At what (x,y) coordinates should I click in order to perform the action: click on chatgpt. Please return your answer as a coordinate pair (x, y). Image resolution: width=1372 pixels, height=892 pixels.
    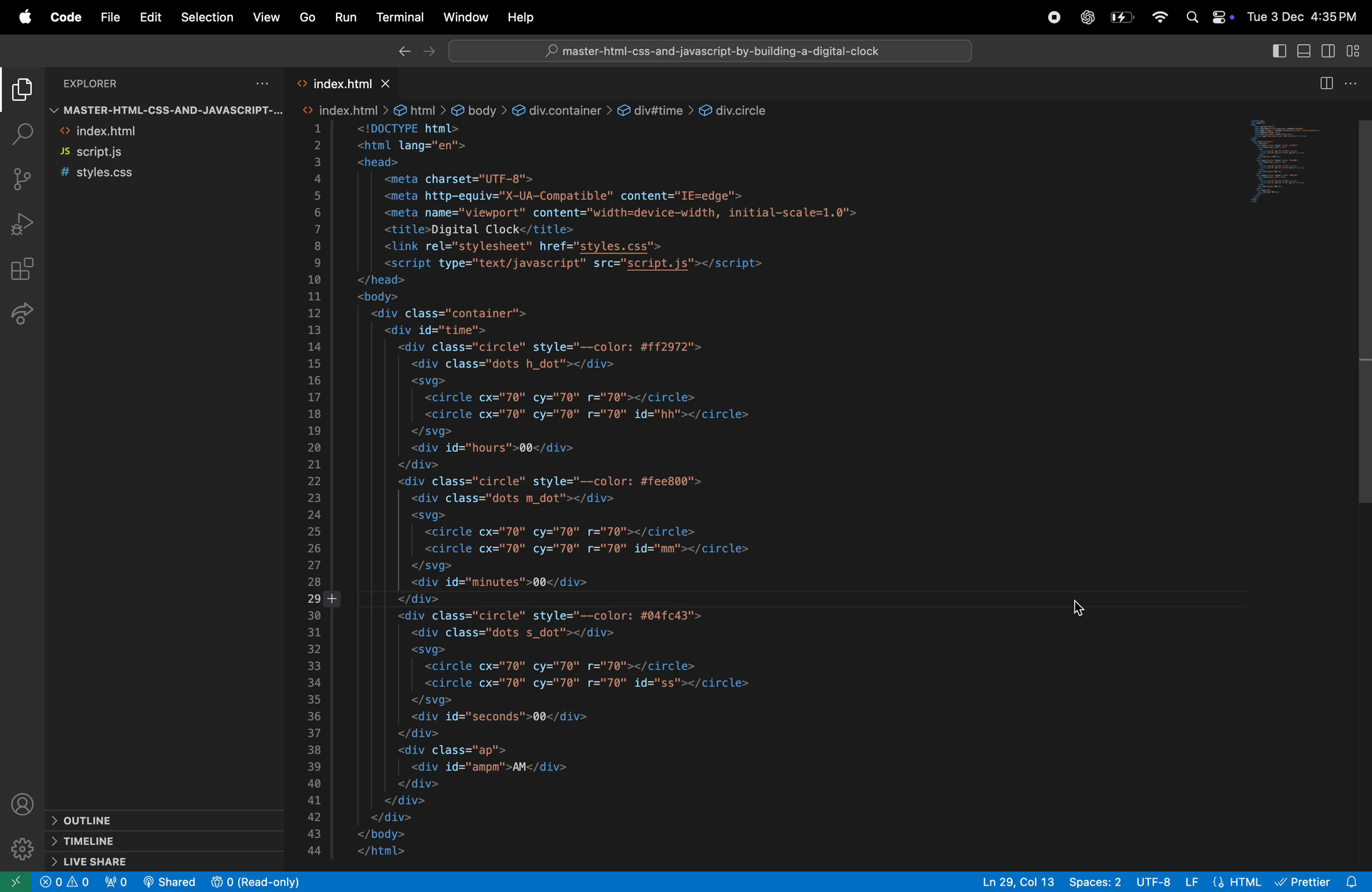
    Looking at the image, I should click on (1084, 17).